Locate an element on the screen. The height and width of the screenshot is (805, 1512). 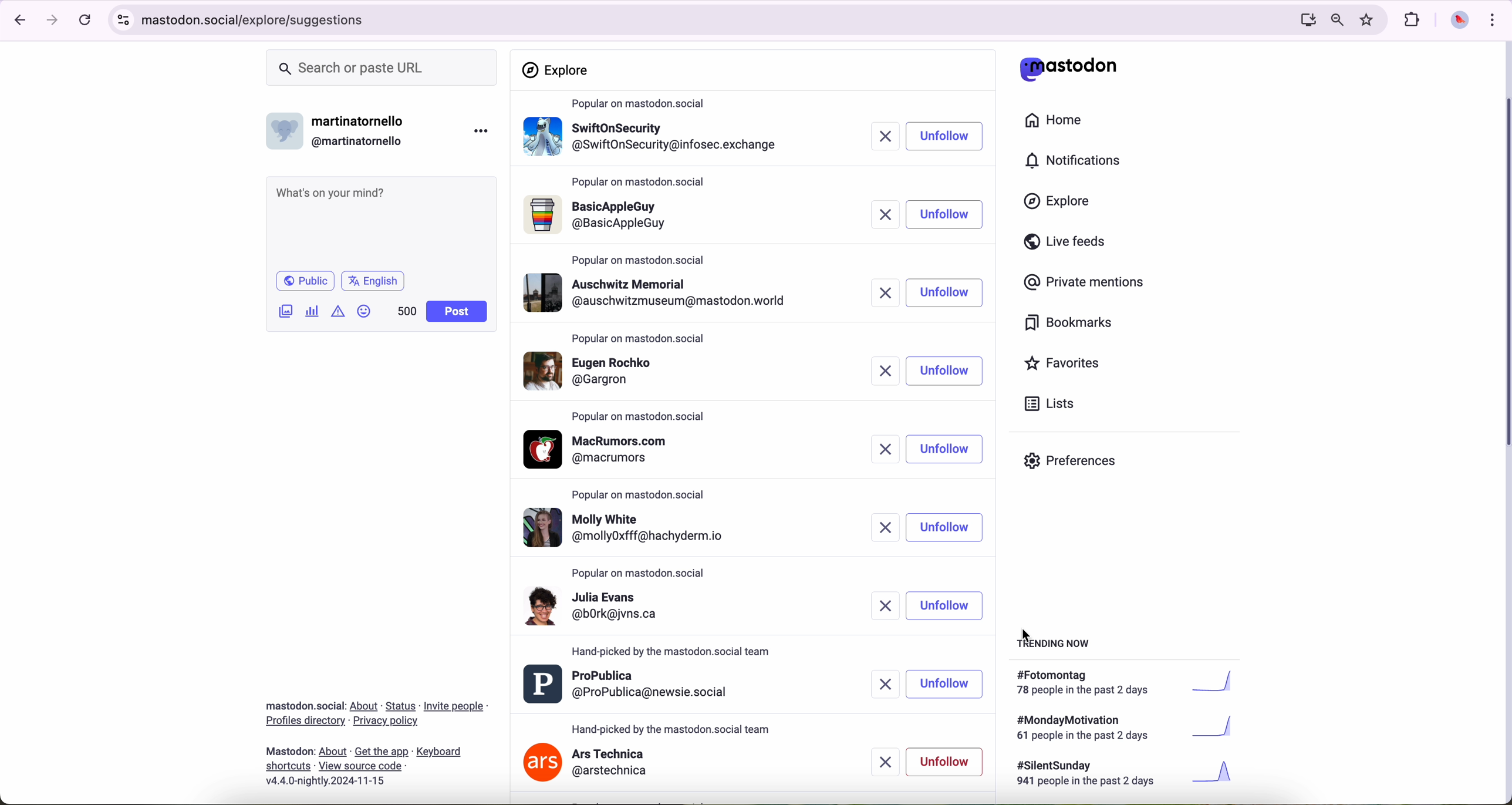
remove is located at coordinates (885, 681).